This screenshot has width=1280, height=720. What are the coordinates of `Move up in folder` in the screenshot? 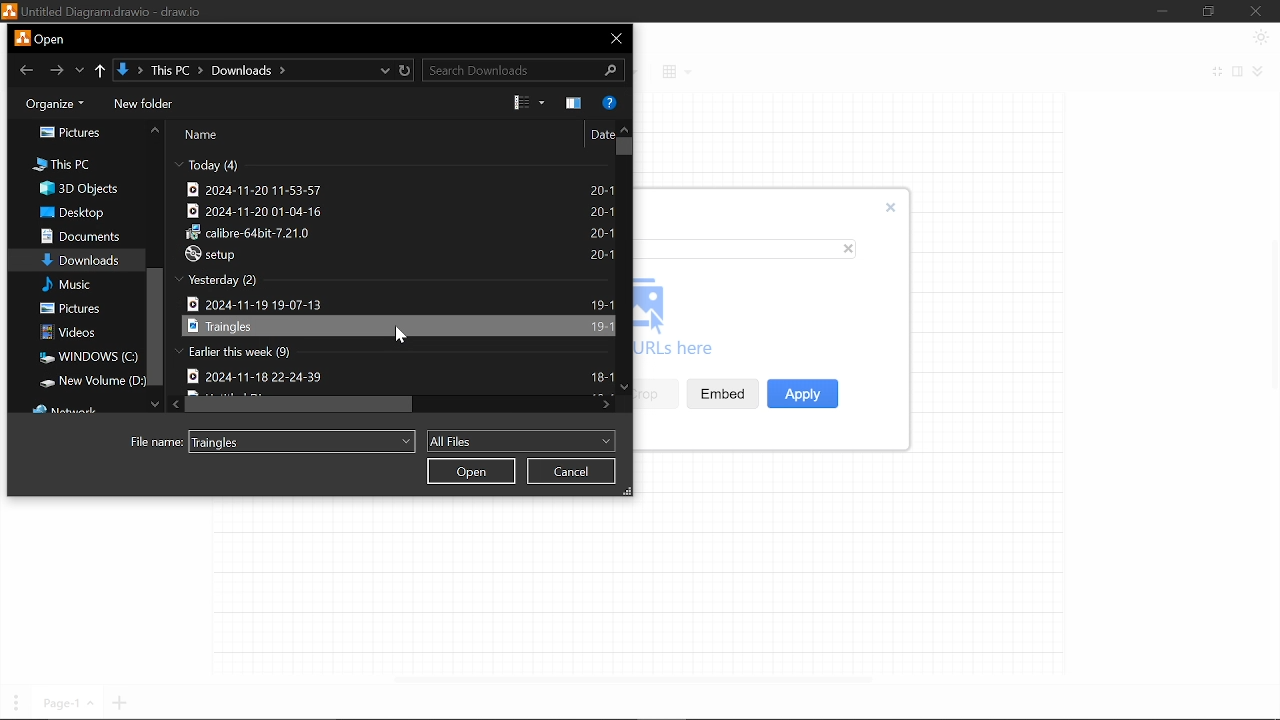 It's located at (155, 129).